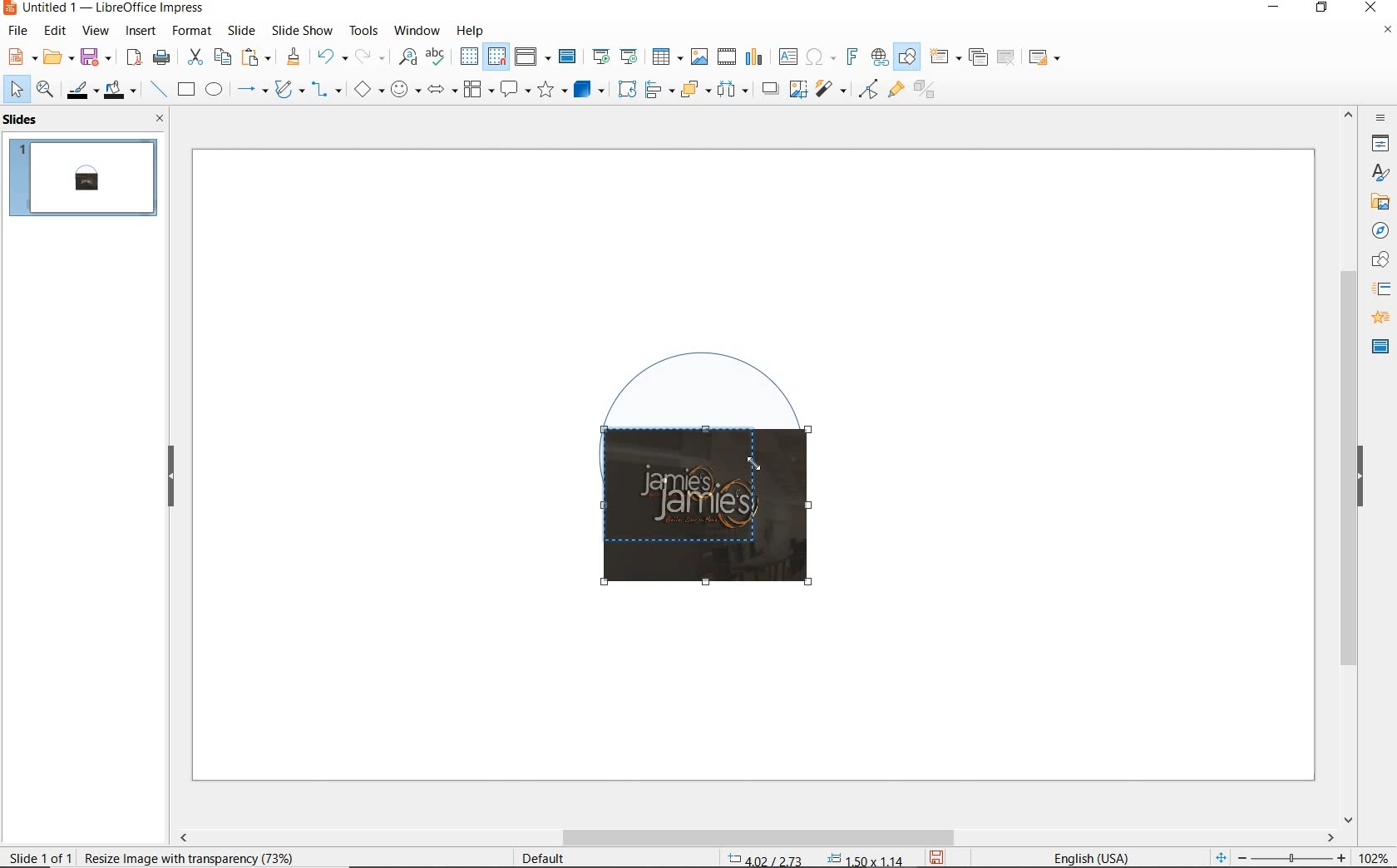 The width and height of the screenshot is (1397, 868). Describe the element at coordinates (1360, 478) in the screenshot. I see `hide` at that location.